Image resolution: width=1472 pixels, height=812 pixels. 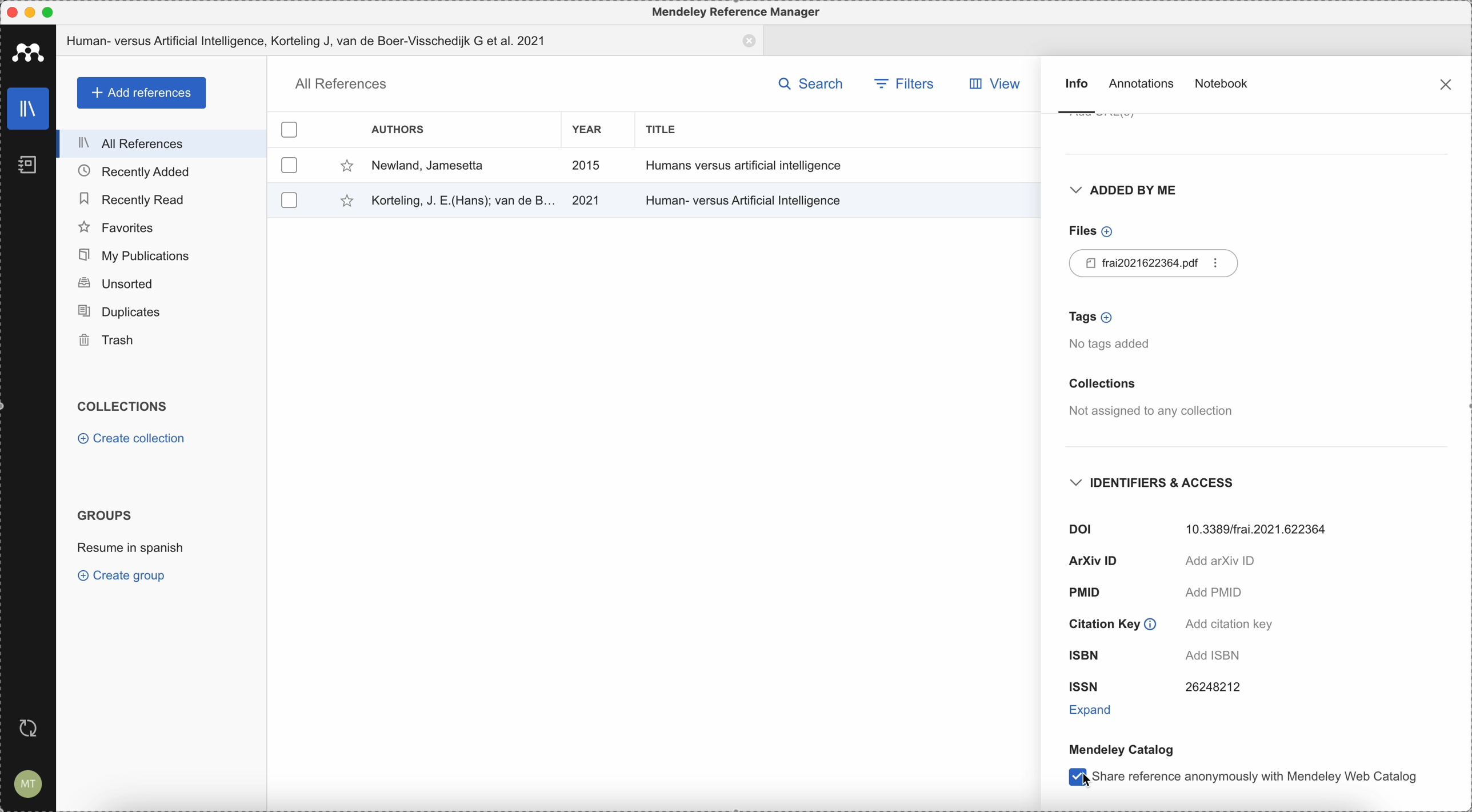 I want to click on added by me, so click(x=1122, y=193).